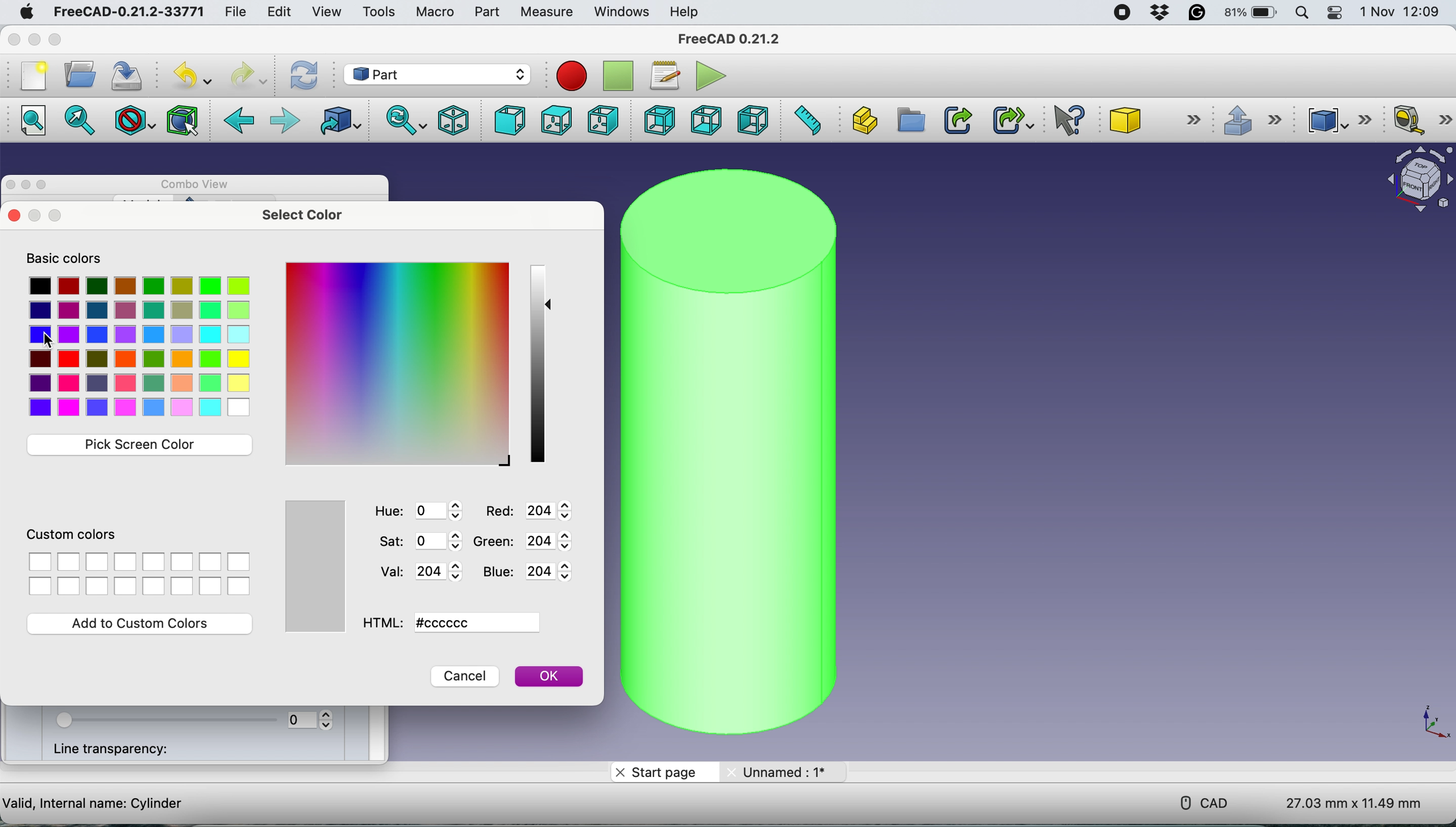  What do you see at coordinates (199, 183) in the screenshot?
I see `combo view` at bounding box center [199, 183].